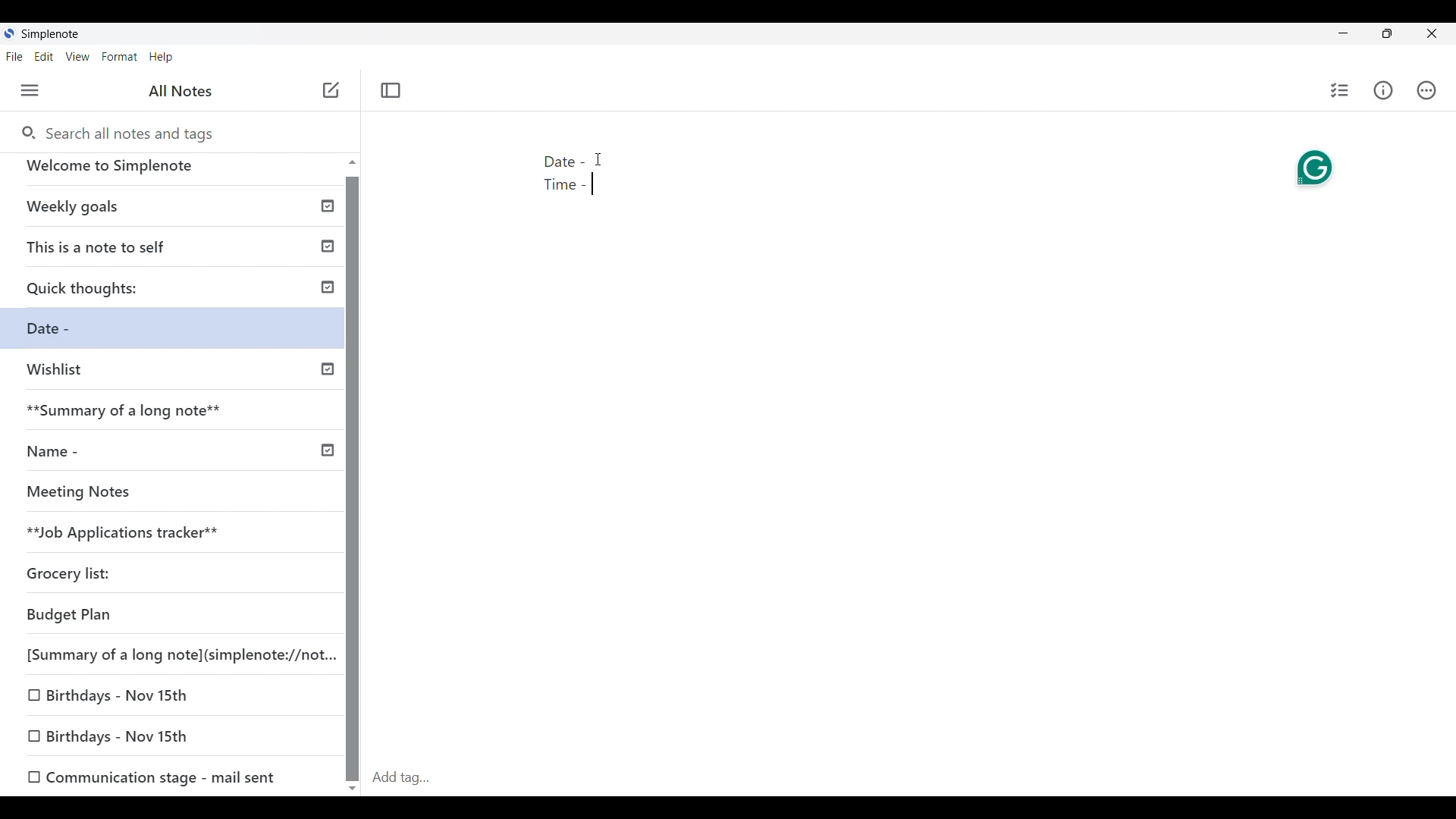  I want to click on Menu, so click(30, 90).